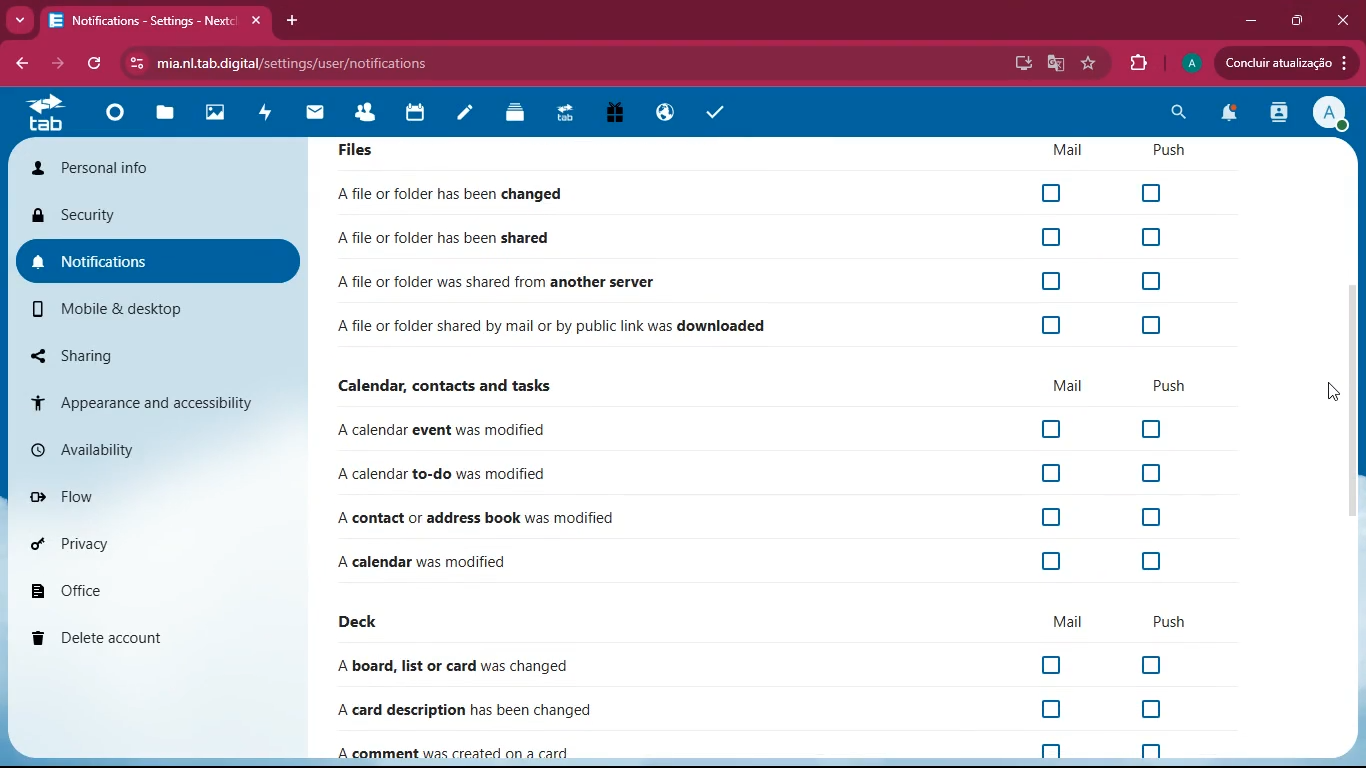 This screenshot has height=768, width=1366. What do you see at coordinates (1324, 393) in the screenshot?
I see `cursor` at bounding box center [1324, 393].